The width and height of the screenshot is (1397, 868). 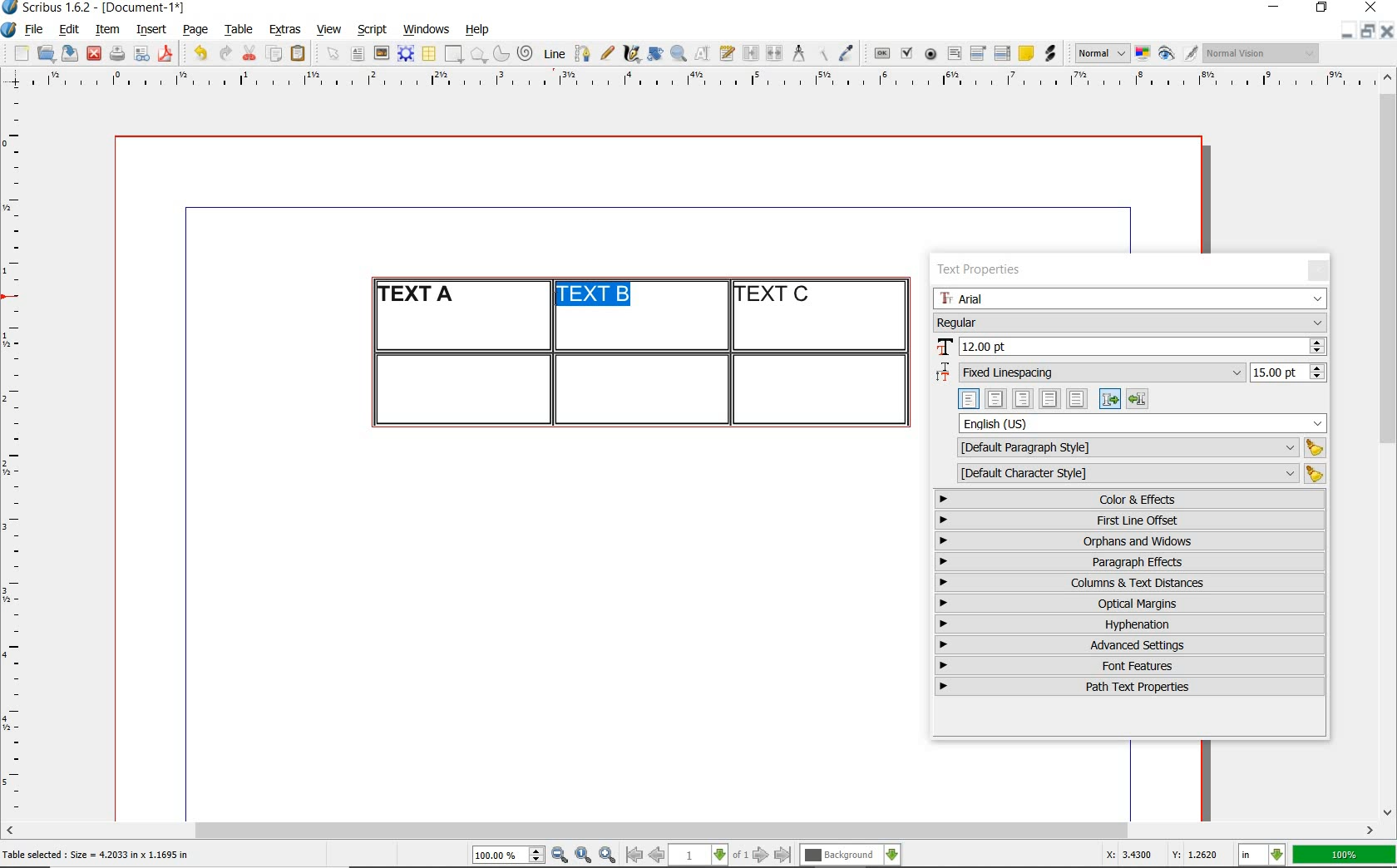 What do you see at coordinates (67, 53) in the screenshot?
I see `save` at bounding box center [67, 53].